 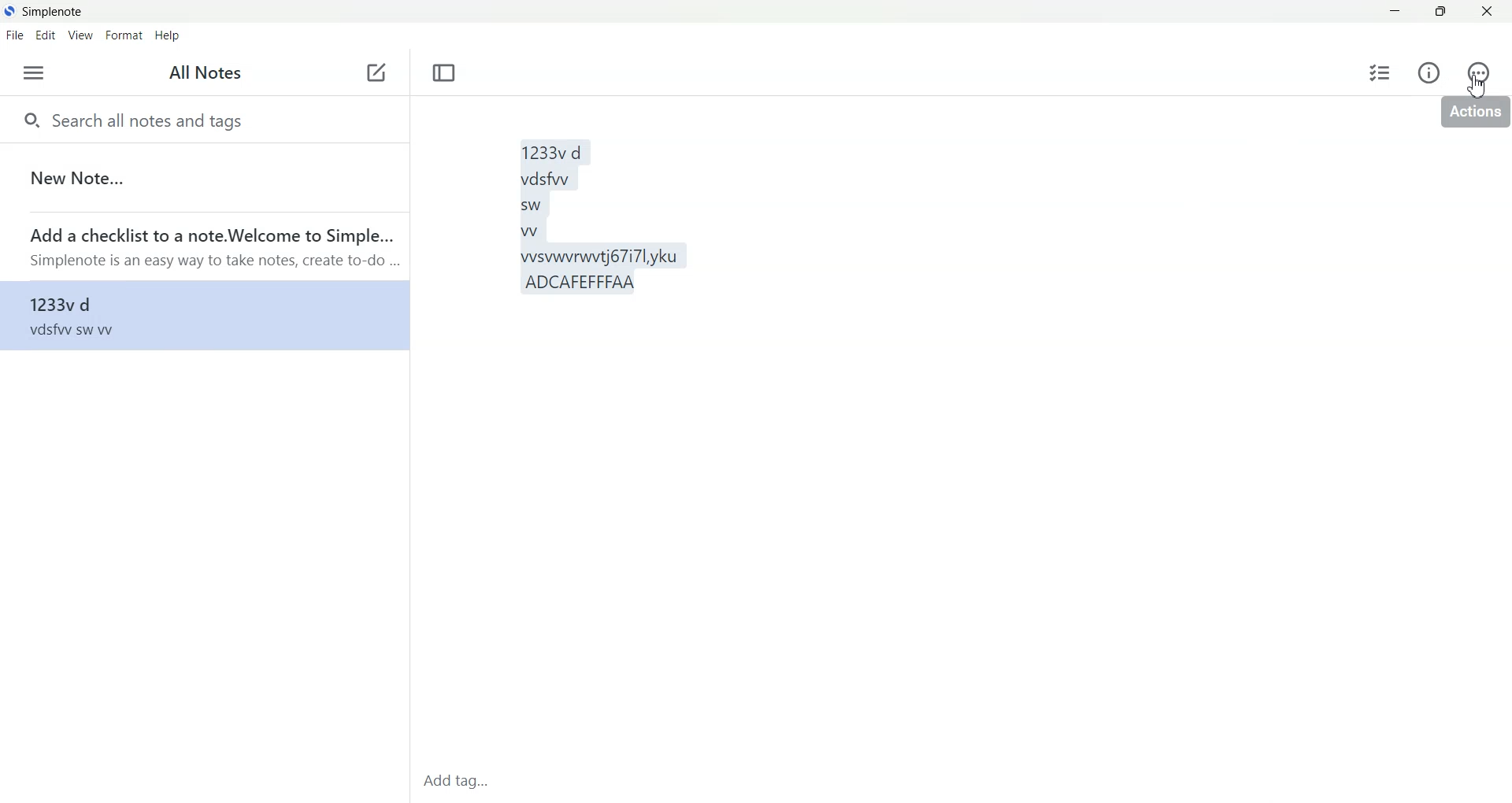 I want to click on All Notes, so click(x=208, y=74).